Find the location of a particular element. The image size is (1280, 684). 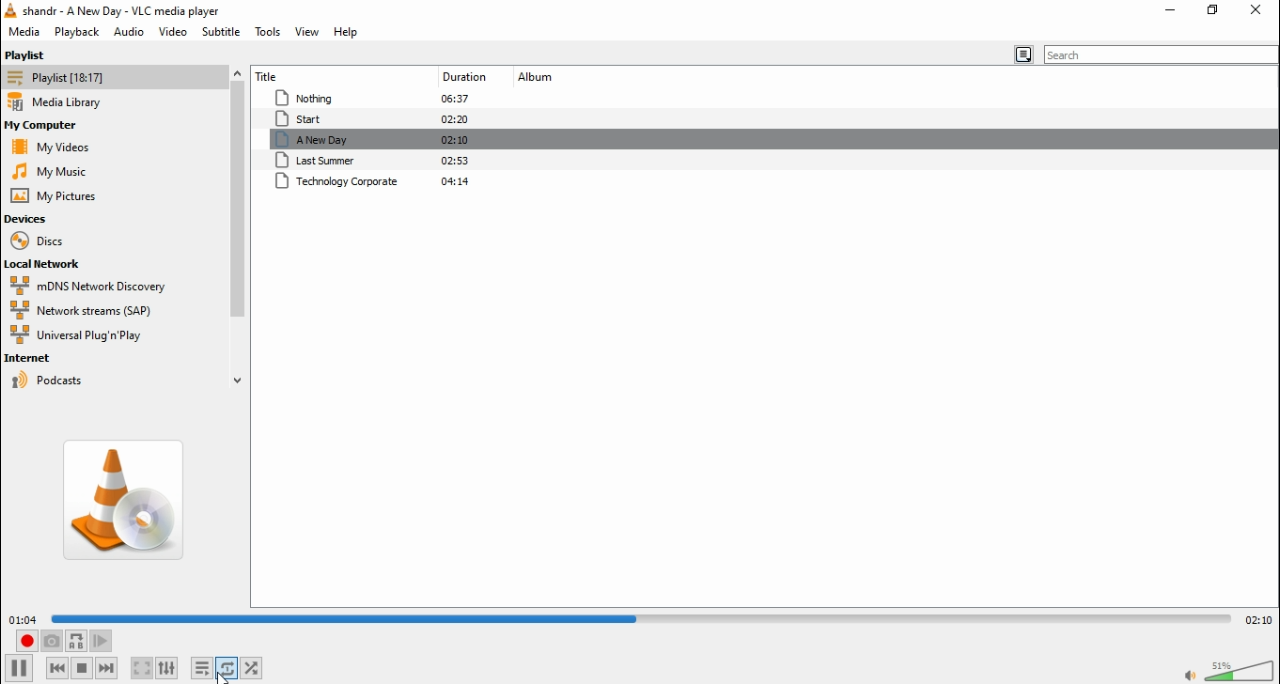

scroll bar is located at coordinates (237, 225).